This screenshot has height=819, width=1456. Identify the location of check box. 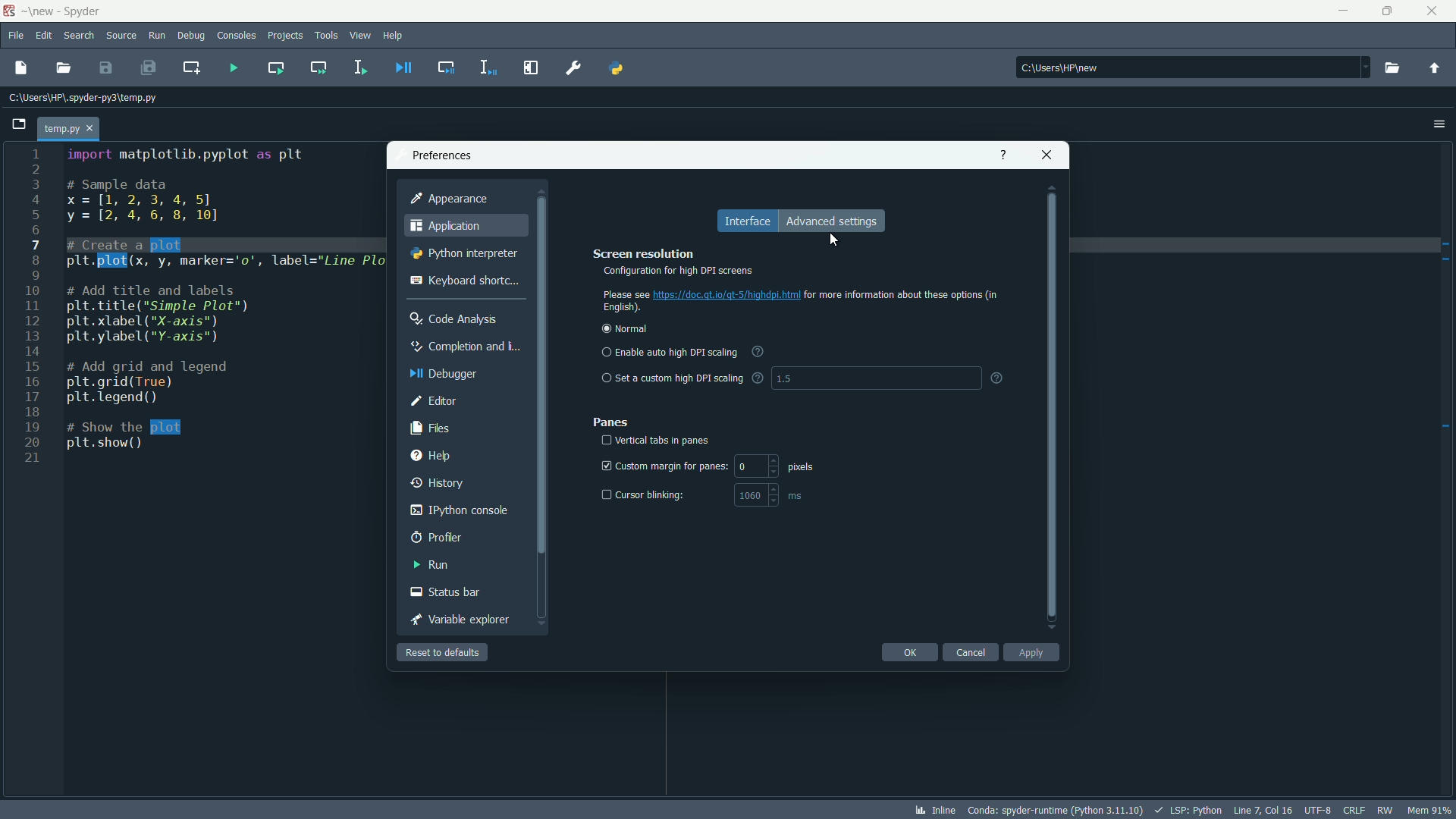
(602, 466).